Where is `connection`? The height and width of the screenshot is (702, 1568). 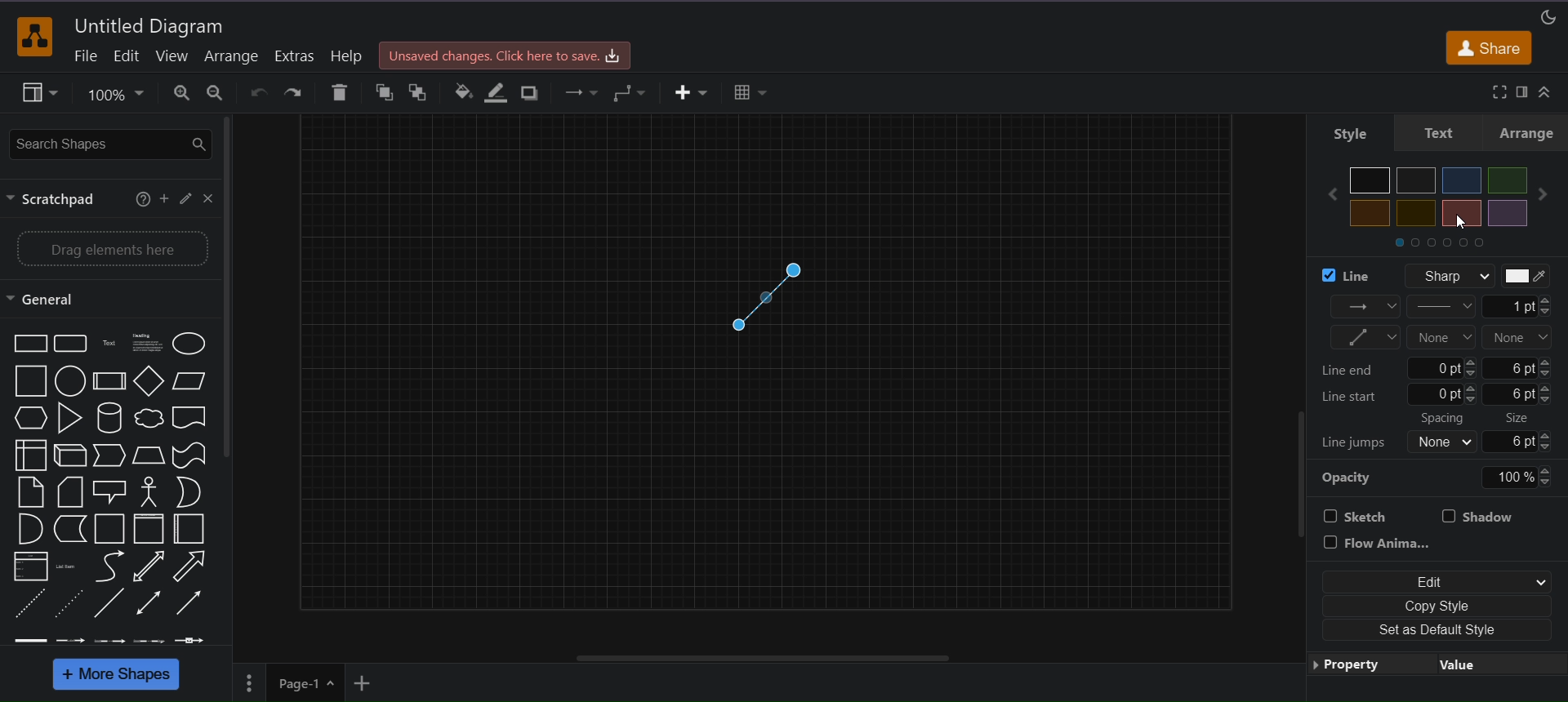
connection is located at coordinates (579, 92).